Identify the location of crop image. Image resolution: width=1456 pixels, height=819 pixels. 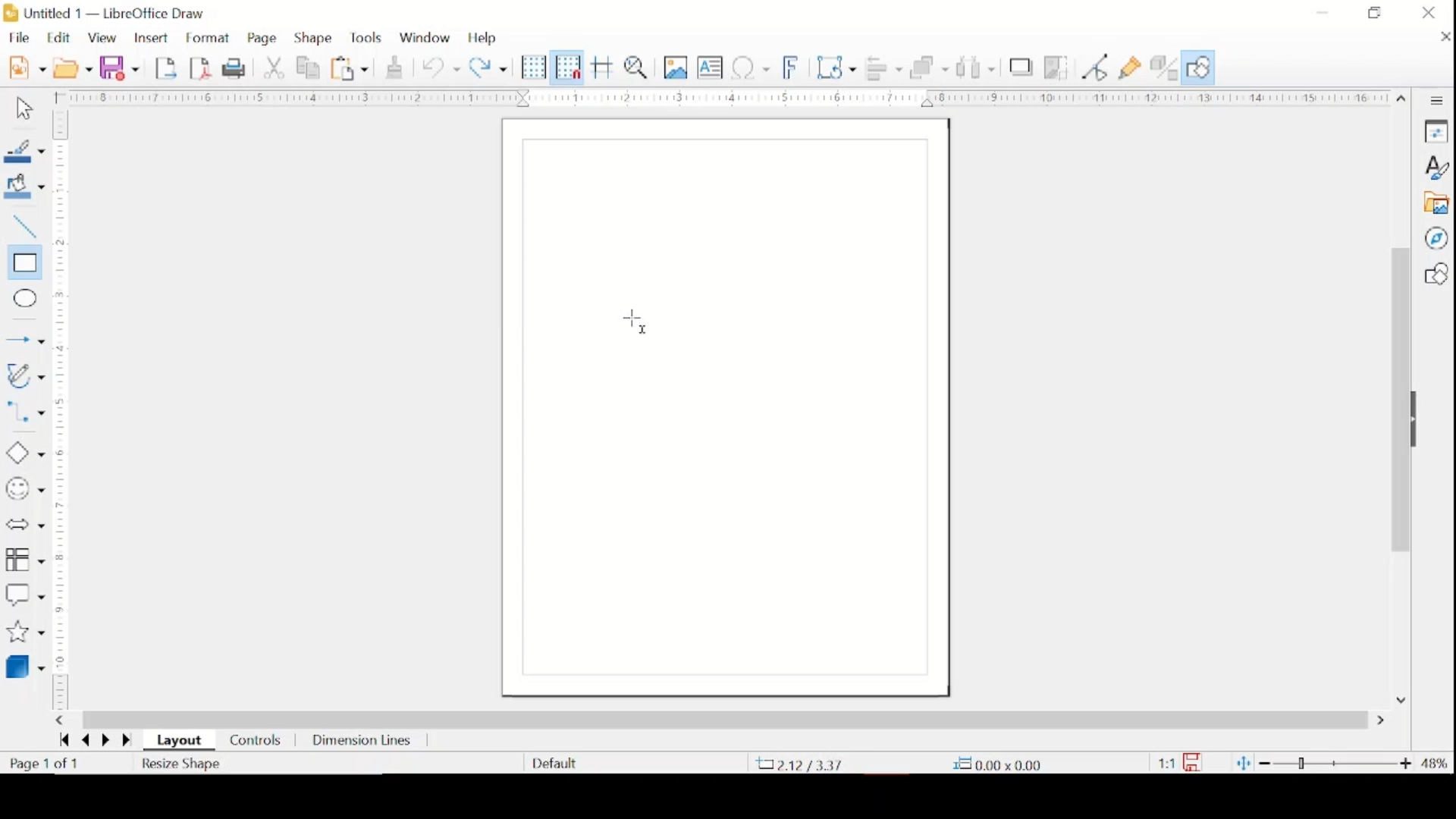
(1058, 69).